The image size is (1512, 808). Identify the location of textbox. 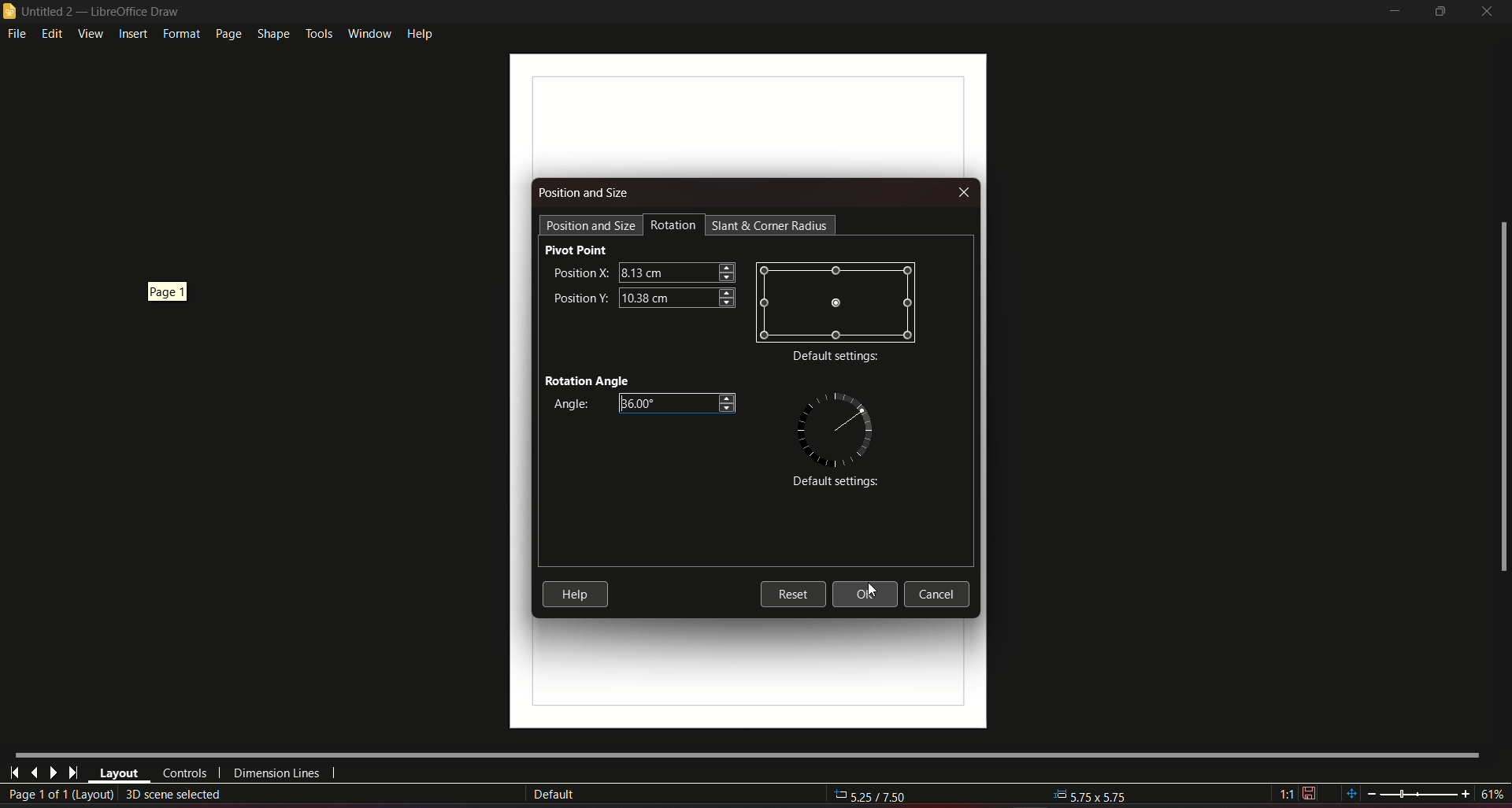
(680, 403).